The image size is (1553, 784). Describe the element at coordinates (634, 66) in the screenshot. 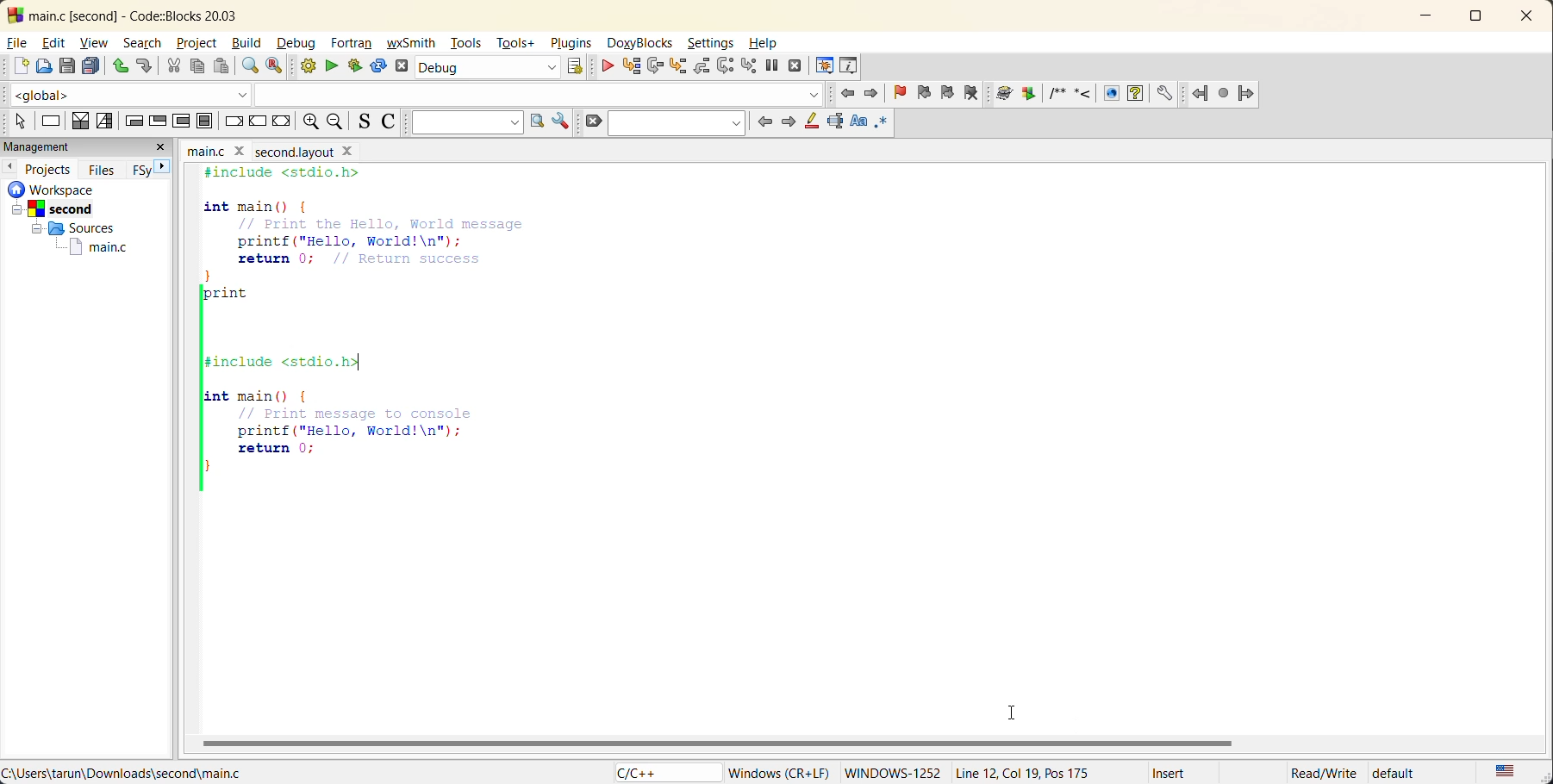

I see `run to cursor` at that location.